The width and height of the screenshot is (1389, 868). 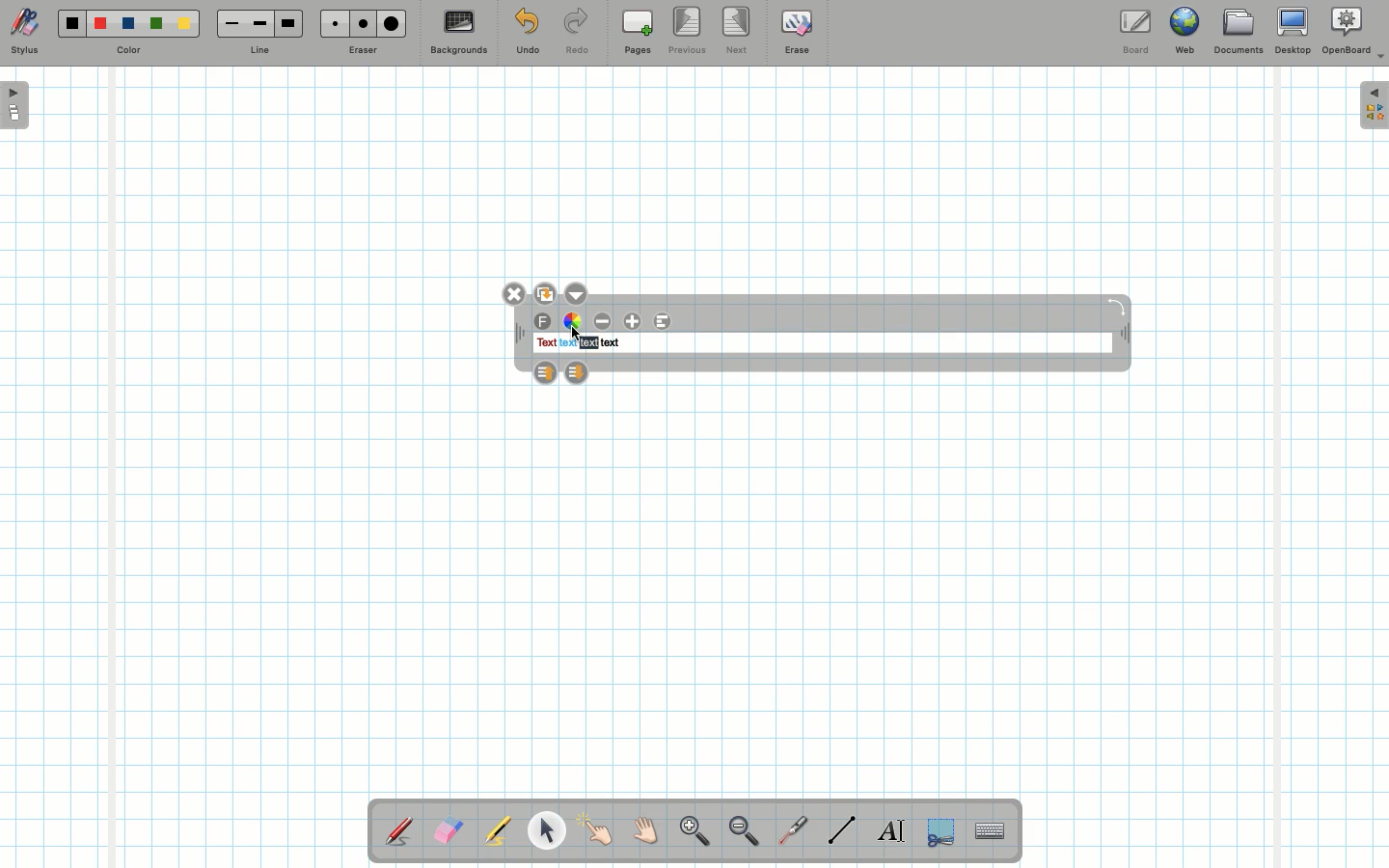 What do you see at coordinates (544, 291) in the screenshot?
I see `Duplicate` at bounding box center [544, 291].